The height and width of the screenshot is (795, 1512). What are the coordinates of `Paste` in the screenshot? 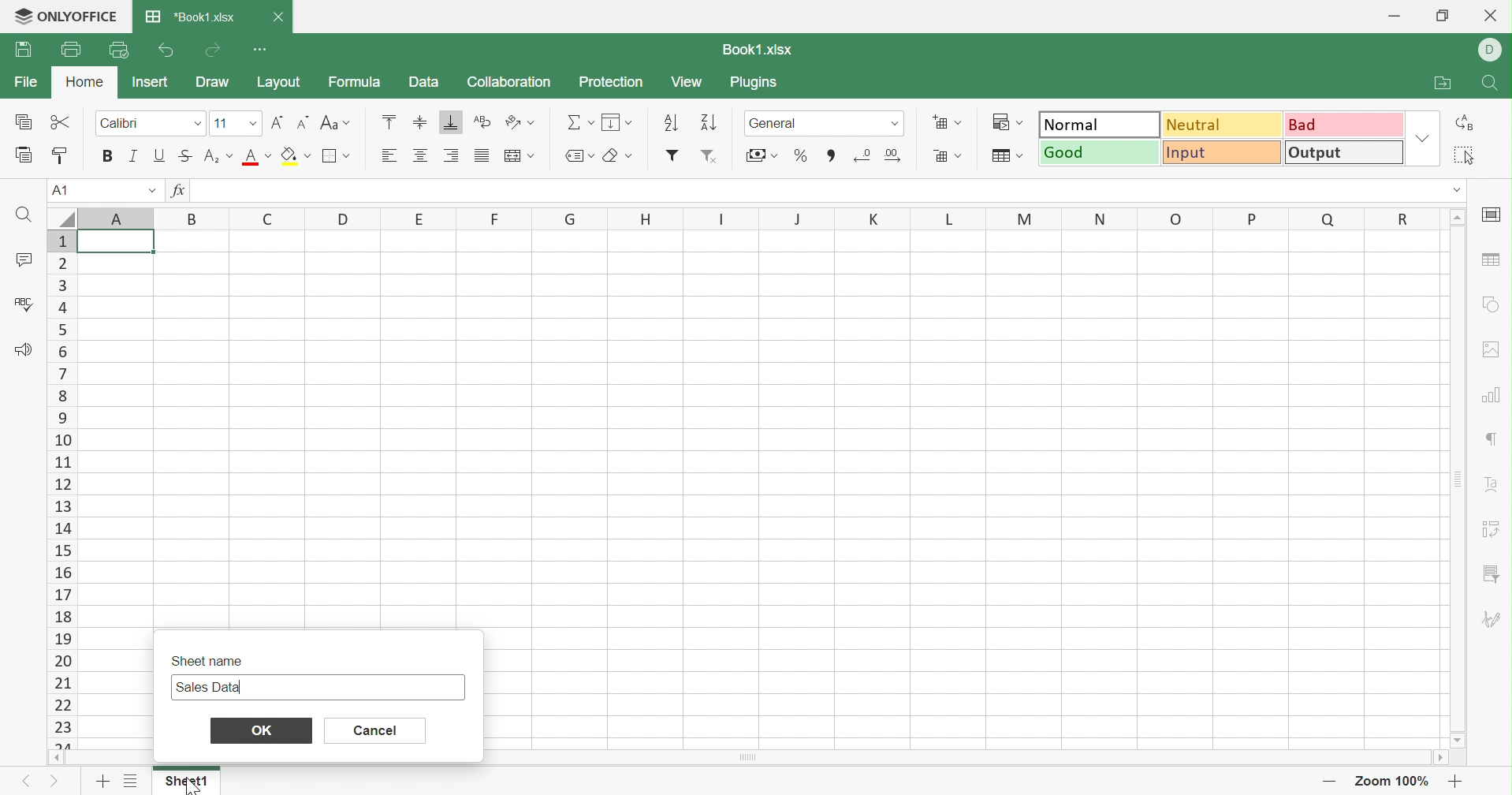 It's located at (24, 153).